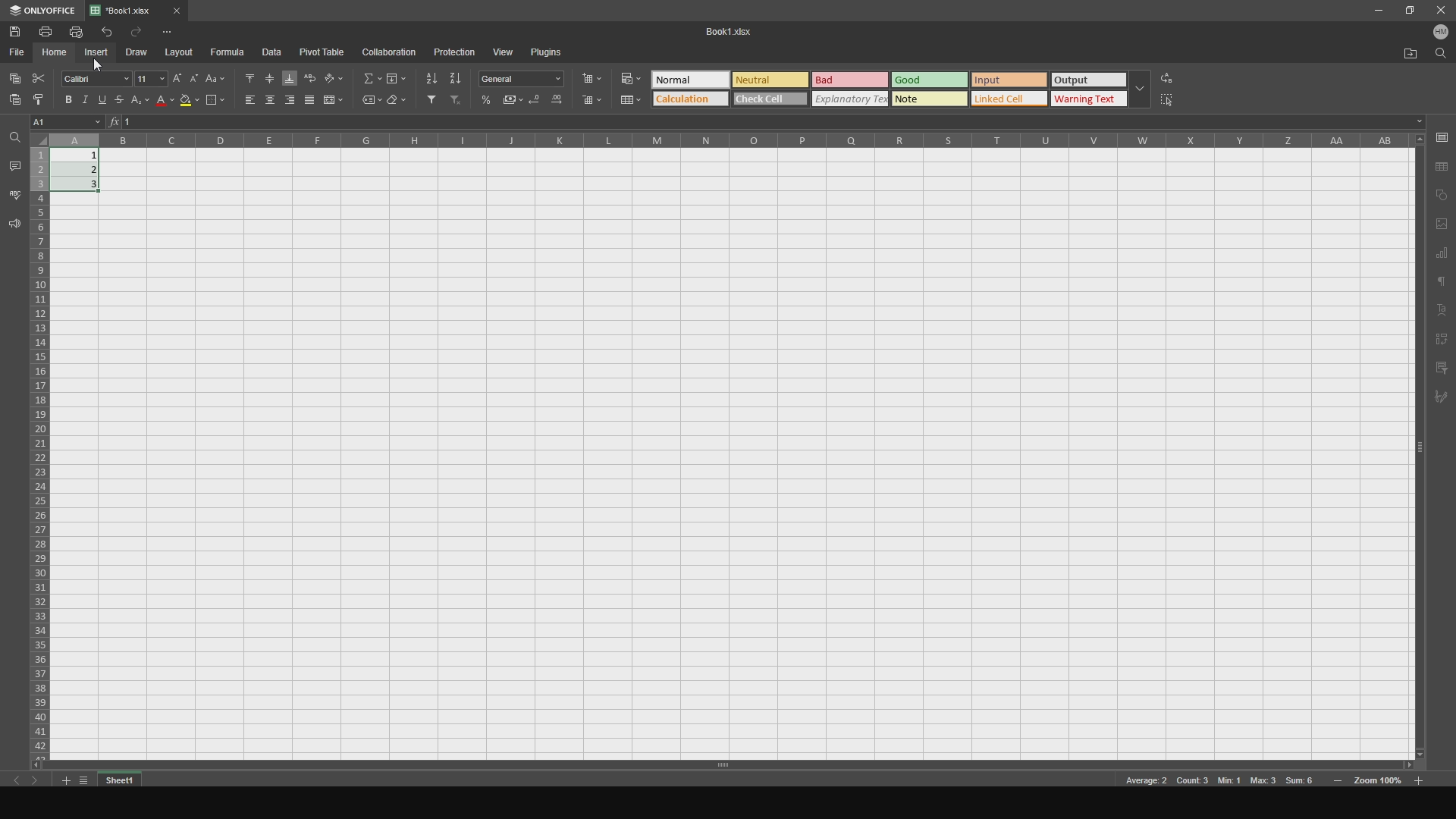  What do you see at coordinates (769, 123) in the screenshot?
I see `cell functions` at bounding box center [769, 123].